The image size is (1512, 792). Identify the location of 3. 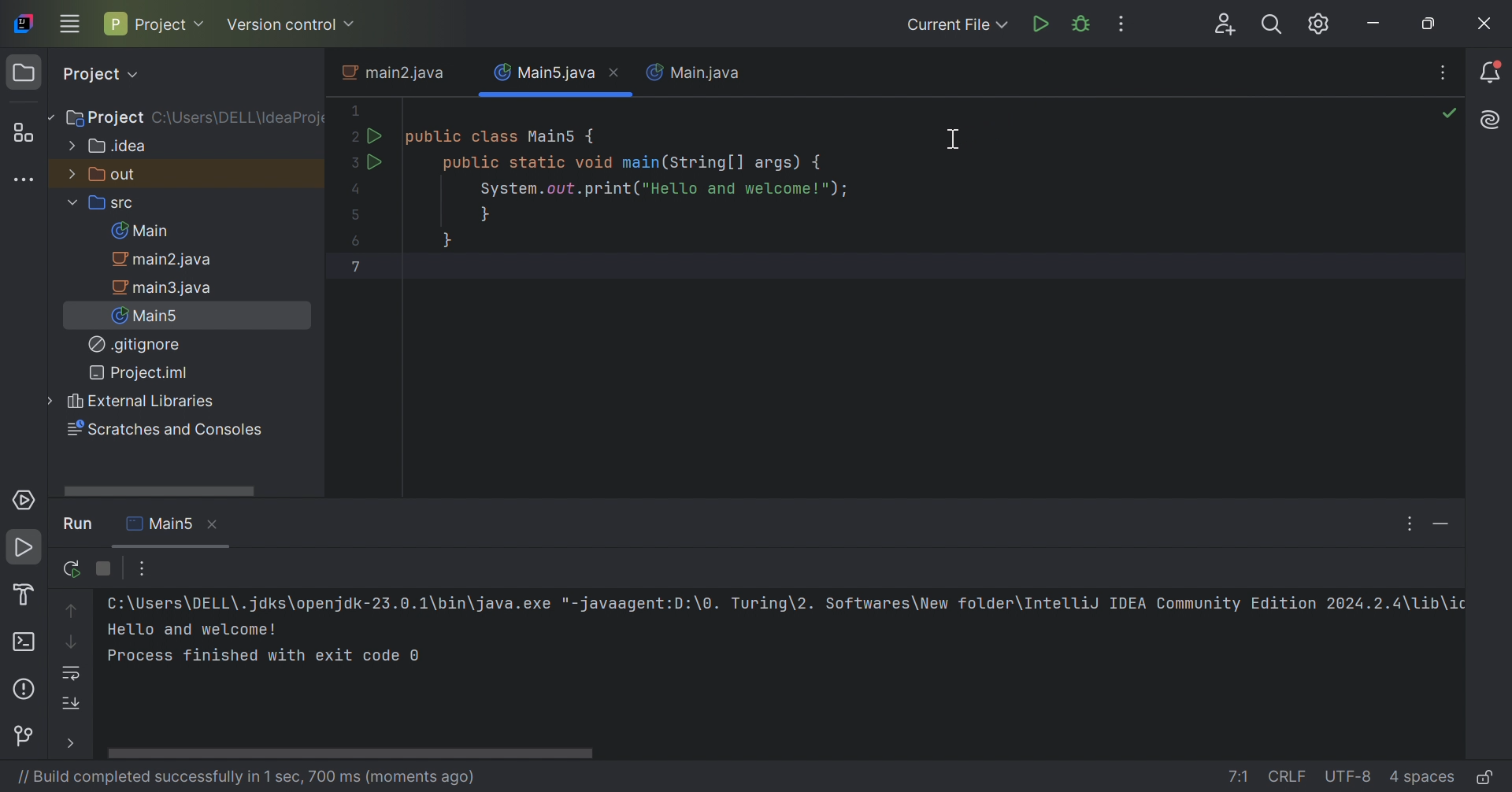
(357, 165).